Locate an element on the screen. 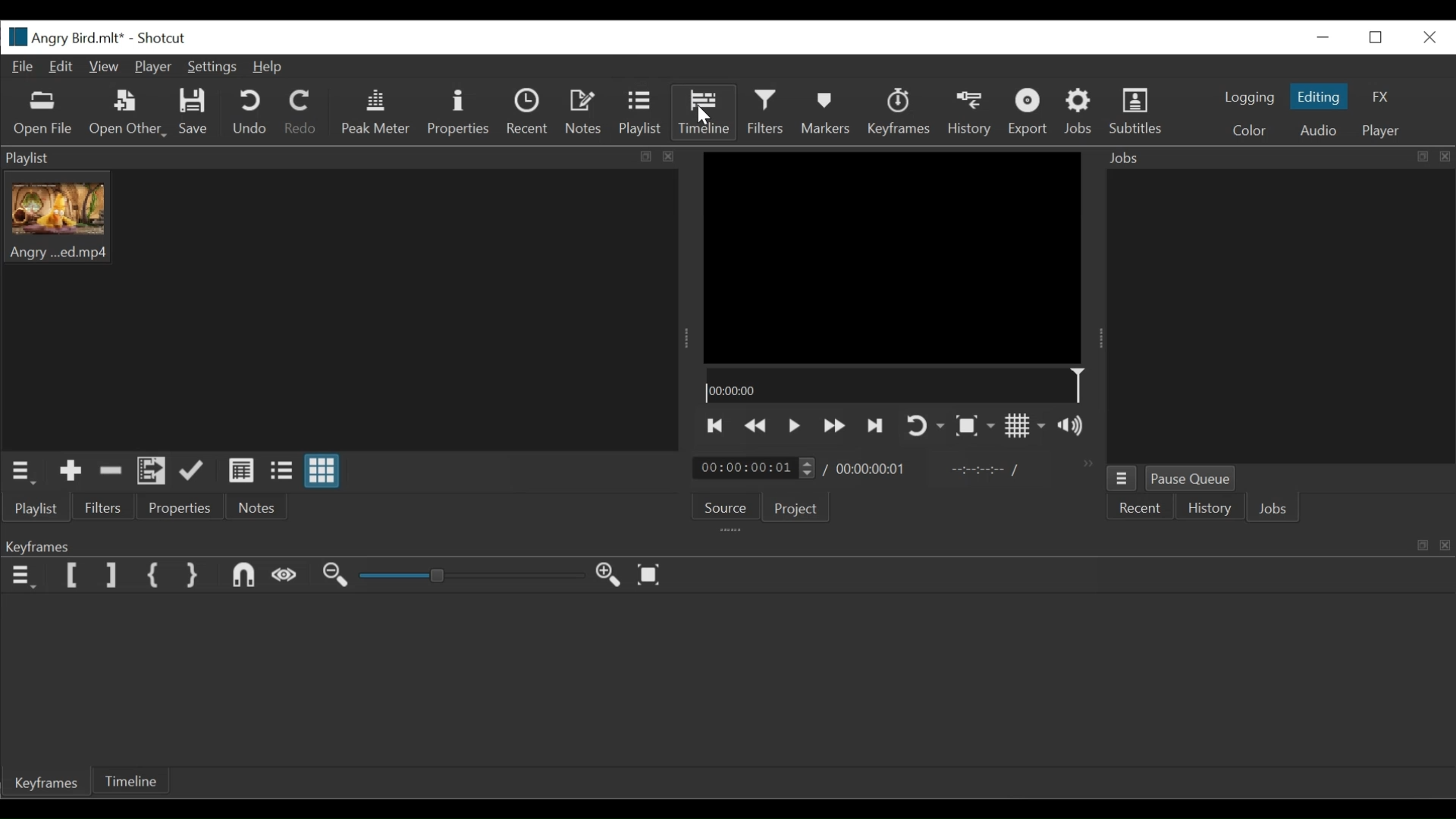 The image size is (1456, 819). Help is located at coordinates (268, 67).